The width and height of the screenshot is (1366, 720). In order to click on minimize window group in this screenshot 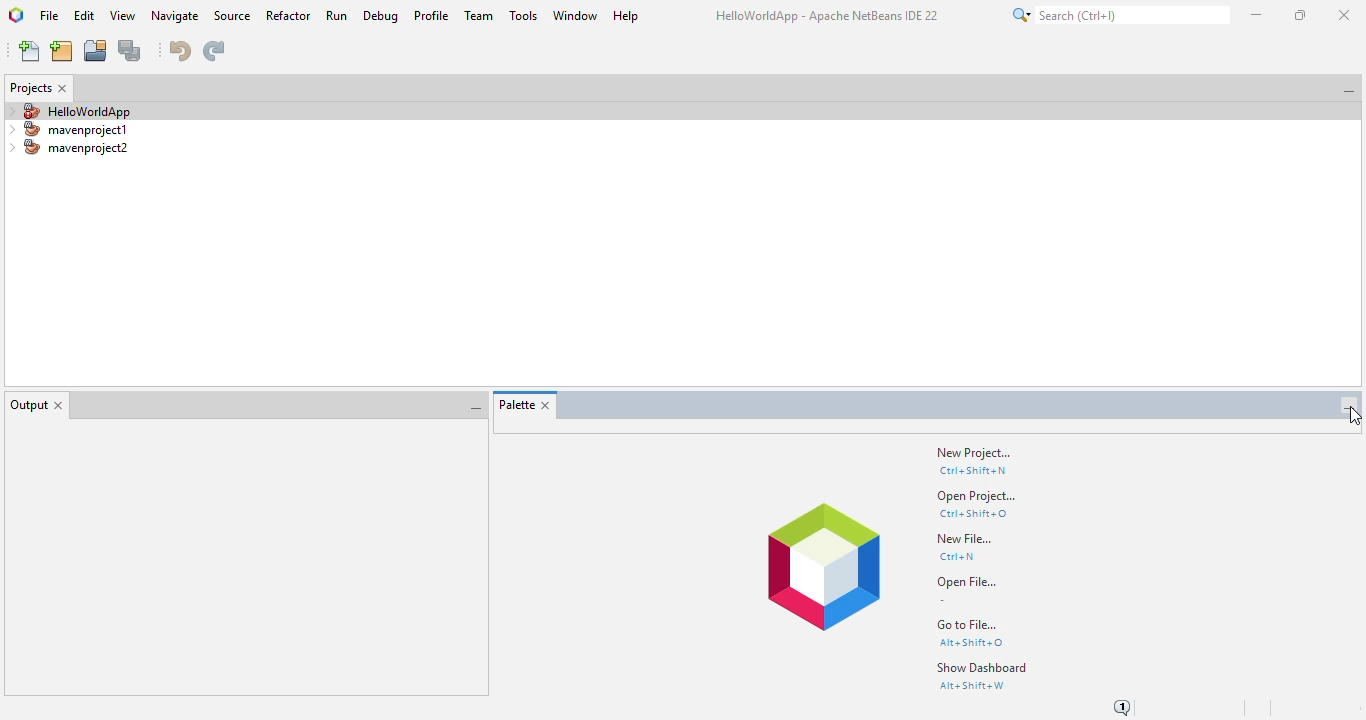, I will do `click(1350, 406)`.